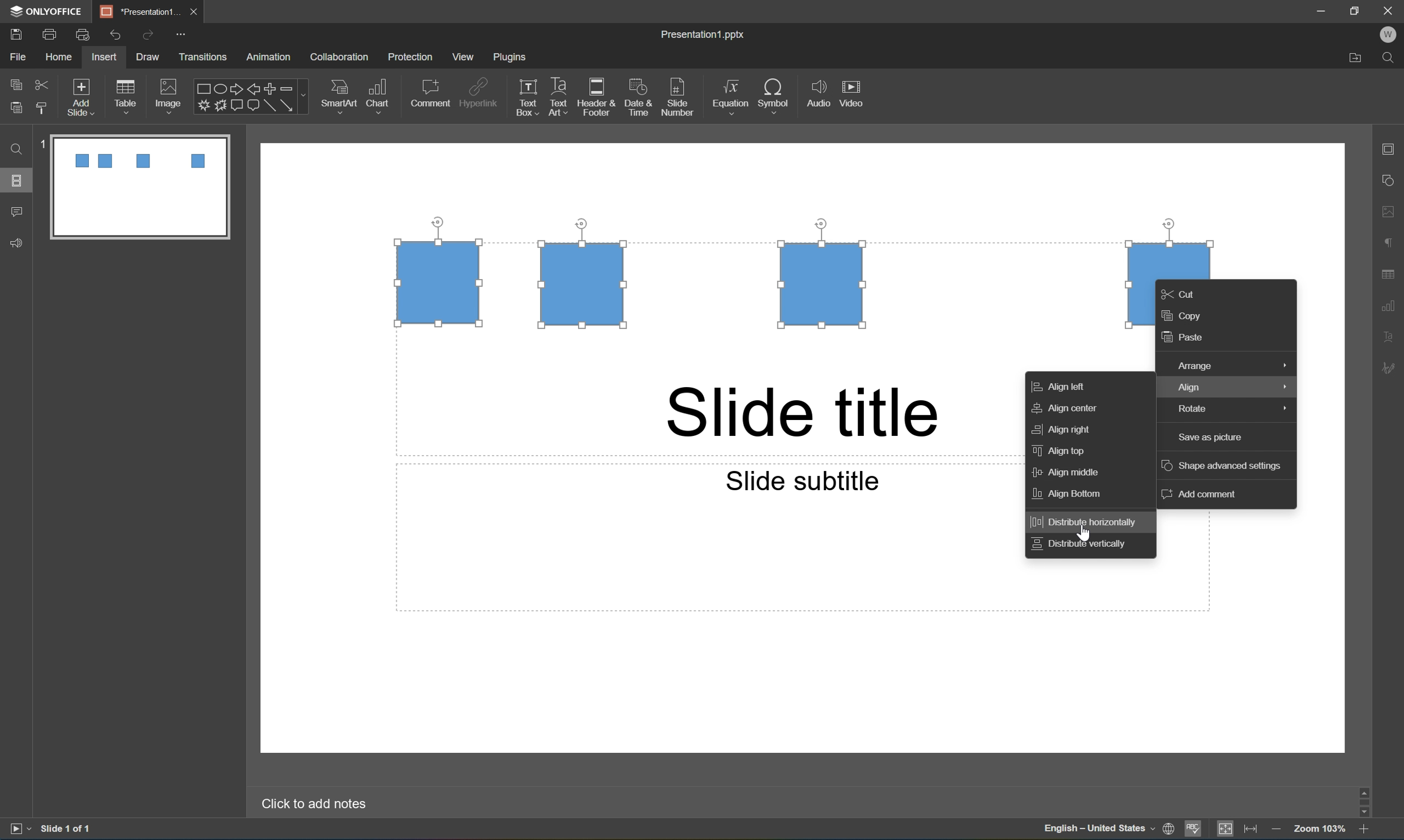  I want to click on slide 1, so click(132, 186).